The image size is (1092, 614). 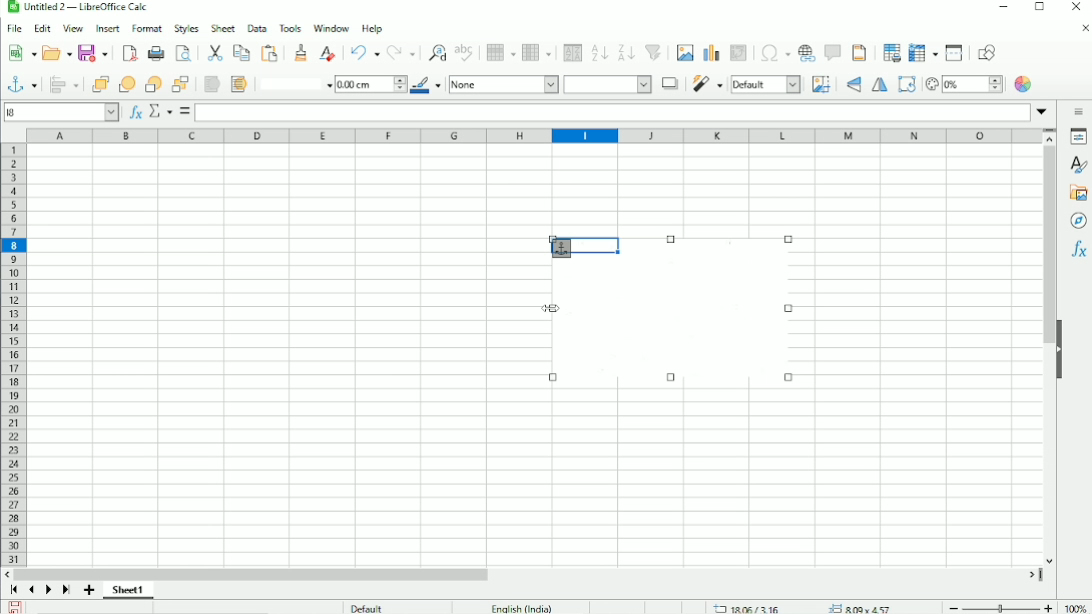 What do you see at coordinates (14, 29) in the screenshot?
I see `File` at bounding box center [14, 29].